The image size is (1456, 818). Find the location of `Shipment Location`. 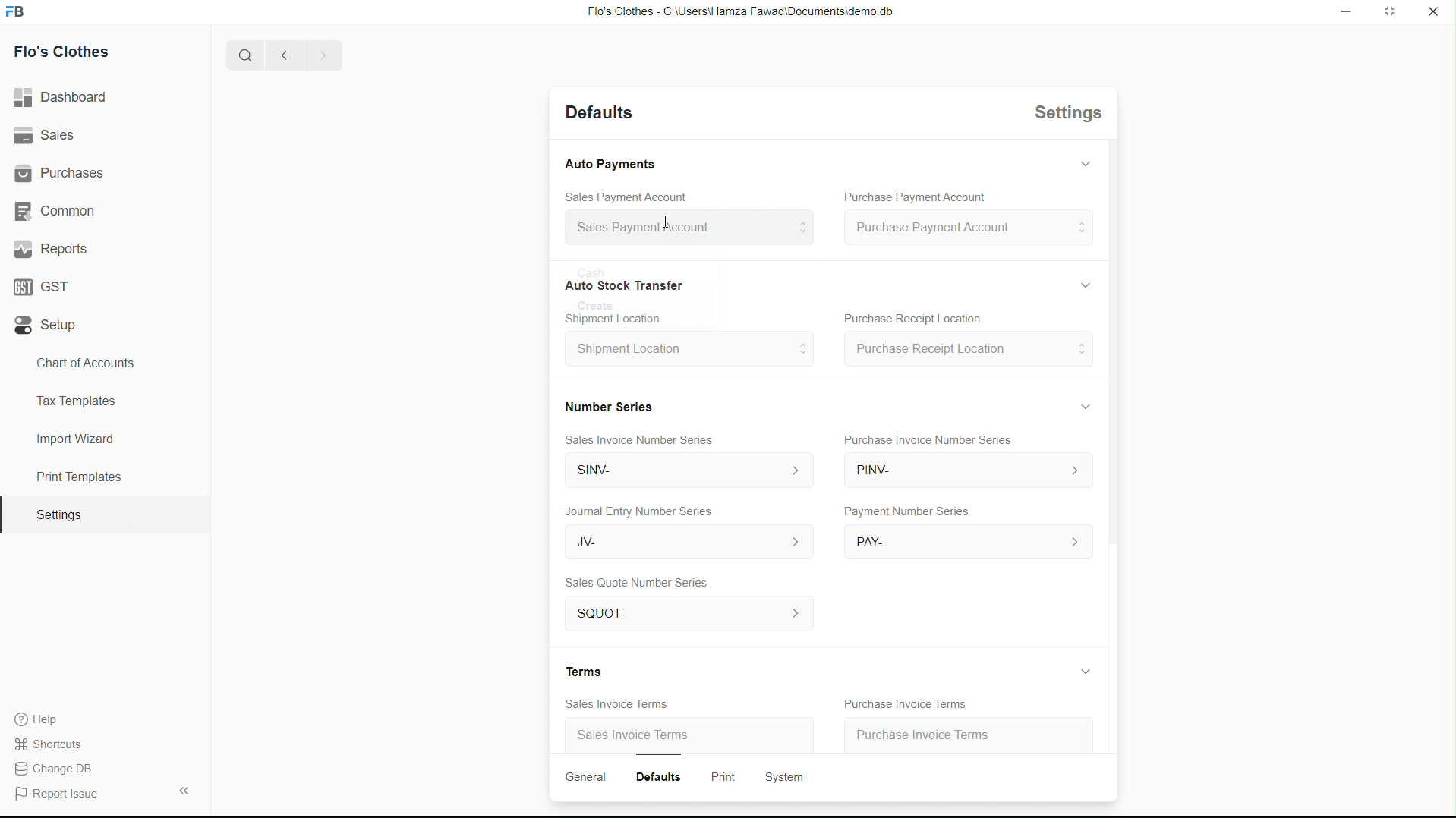

Shipment Location is located at coordinates (685, 354).